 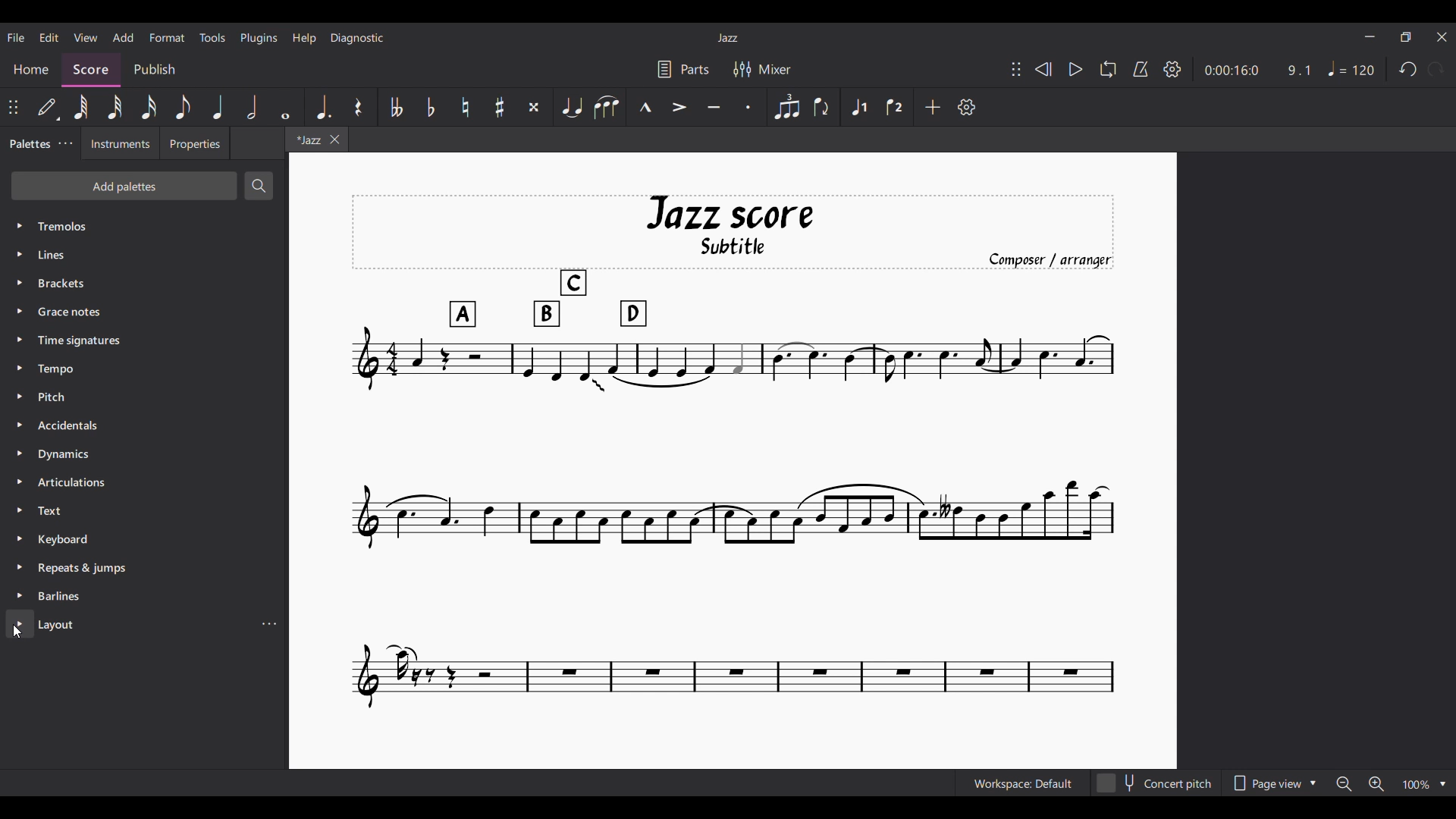 I want to click on Default, so click(x=46, y=107).